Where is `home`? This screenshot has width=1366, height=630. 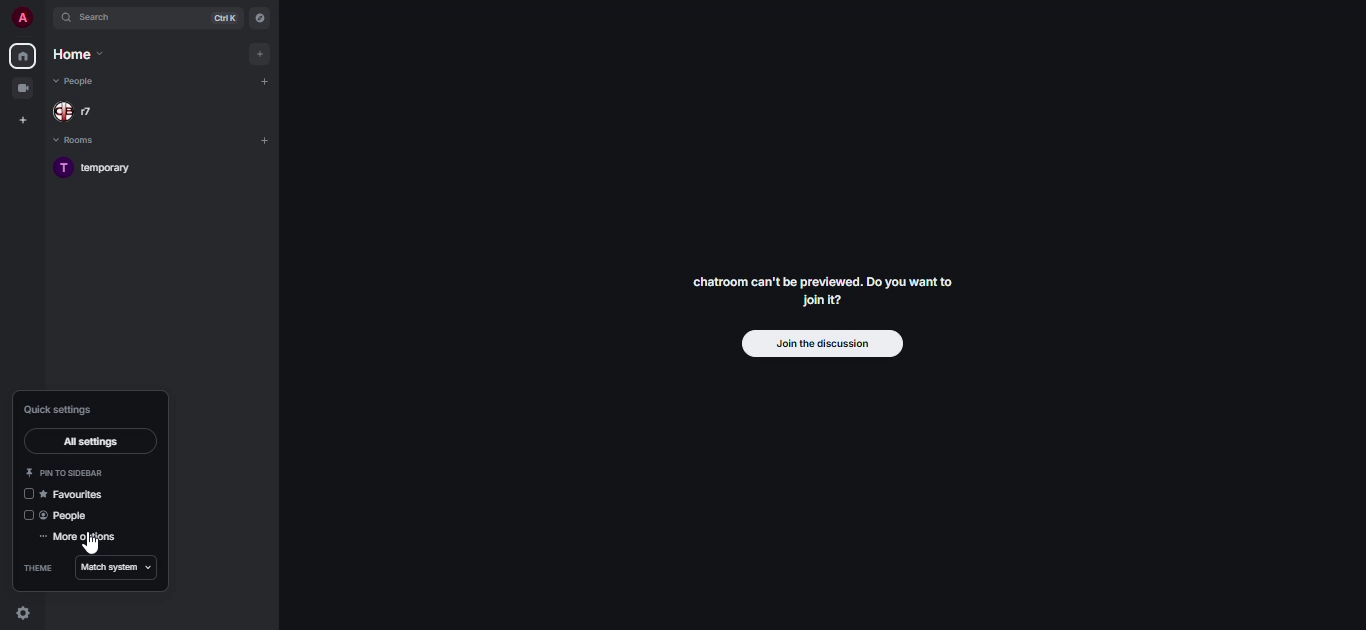
home is located at coordinates (82, 55).